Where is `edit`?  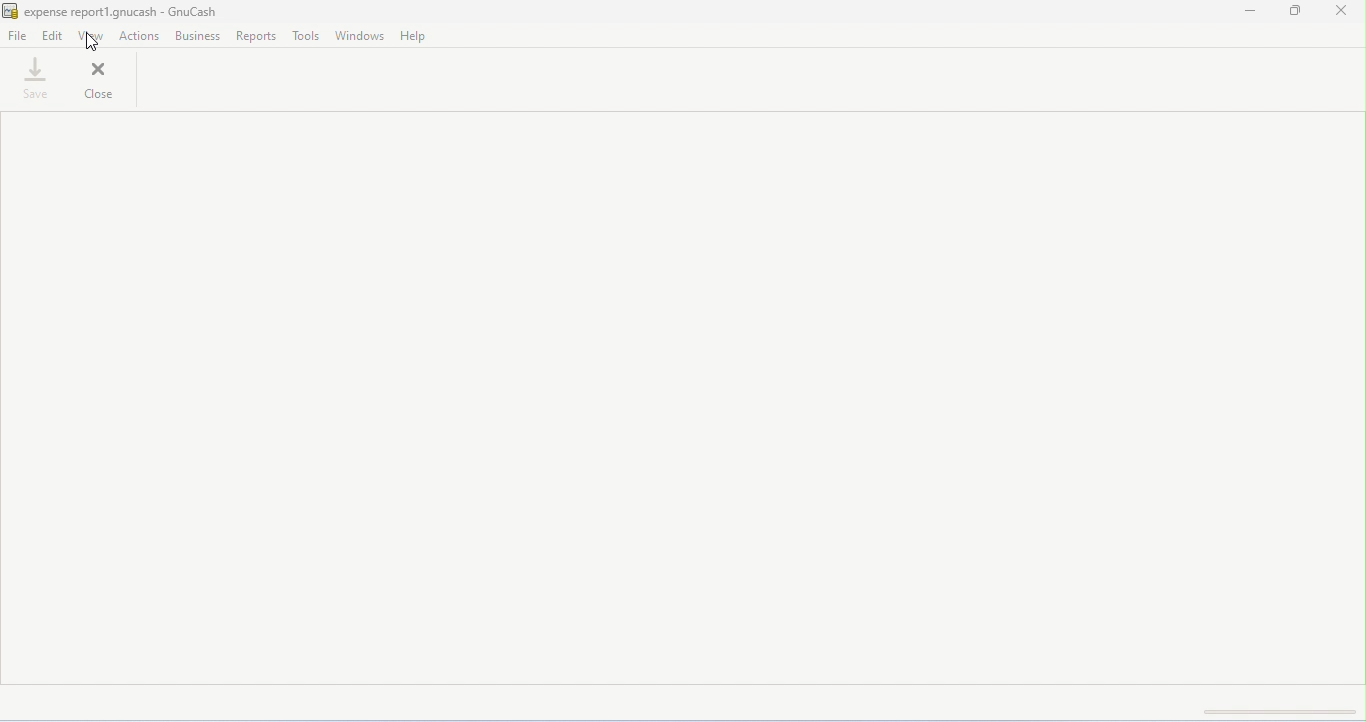 edit is located at coordinates (52, 36).